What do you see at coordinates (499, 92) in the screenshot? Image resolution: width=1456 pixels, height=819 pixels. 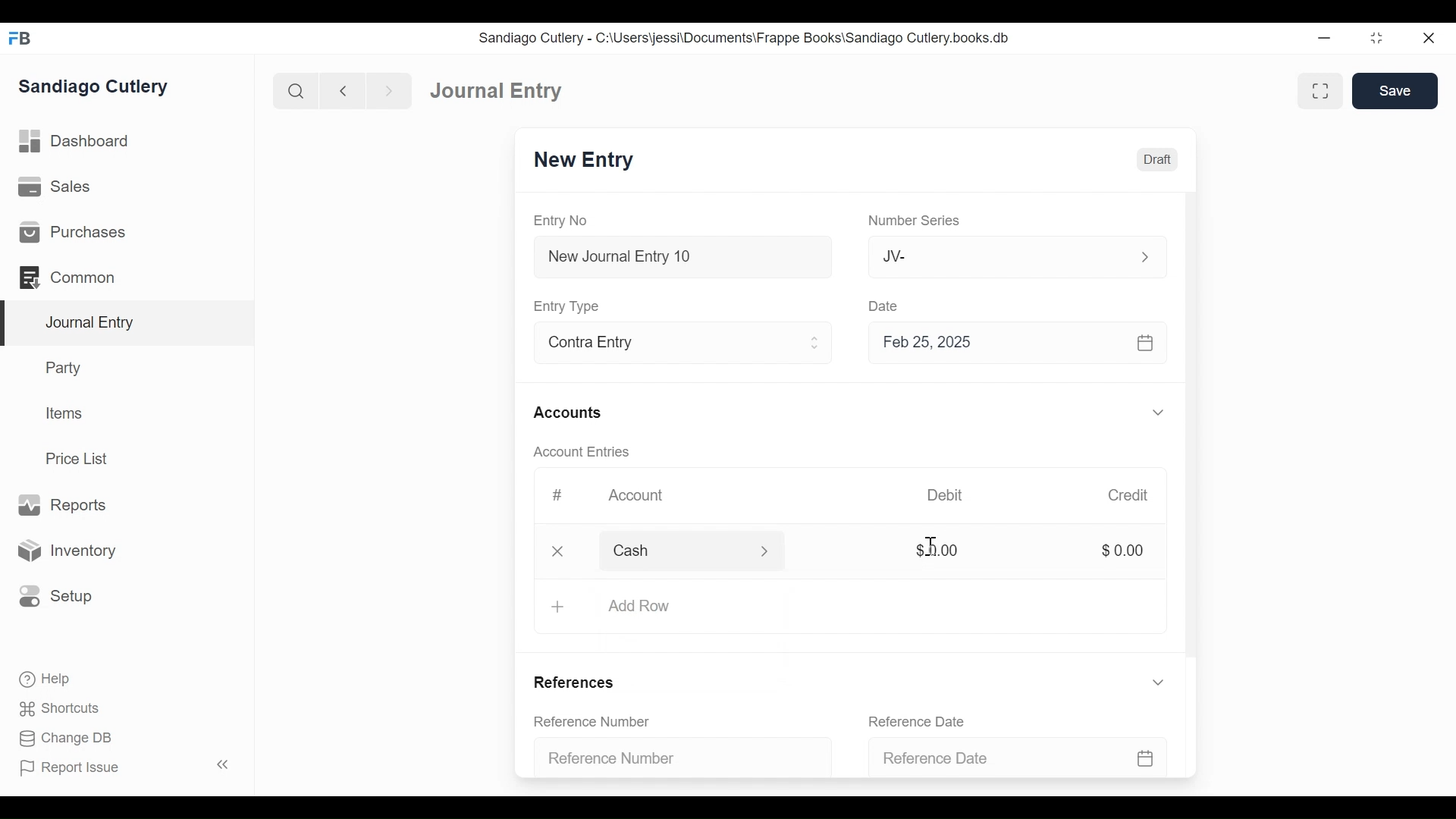 I see `Journal Entry` at bounding box center [499, 92].